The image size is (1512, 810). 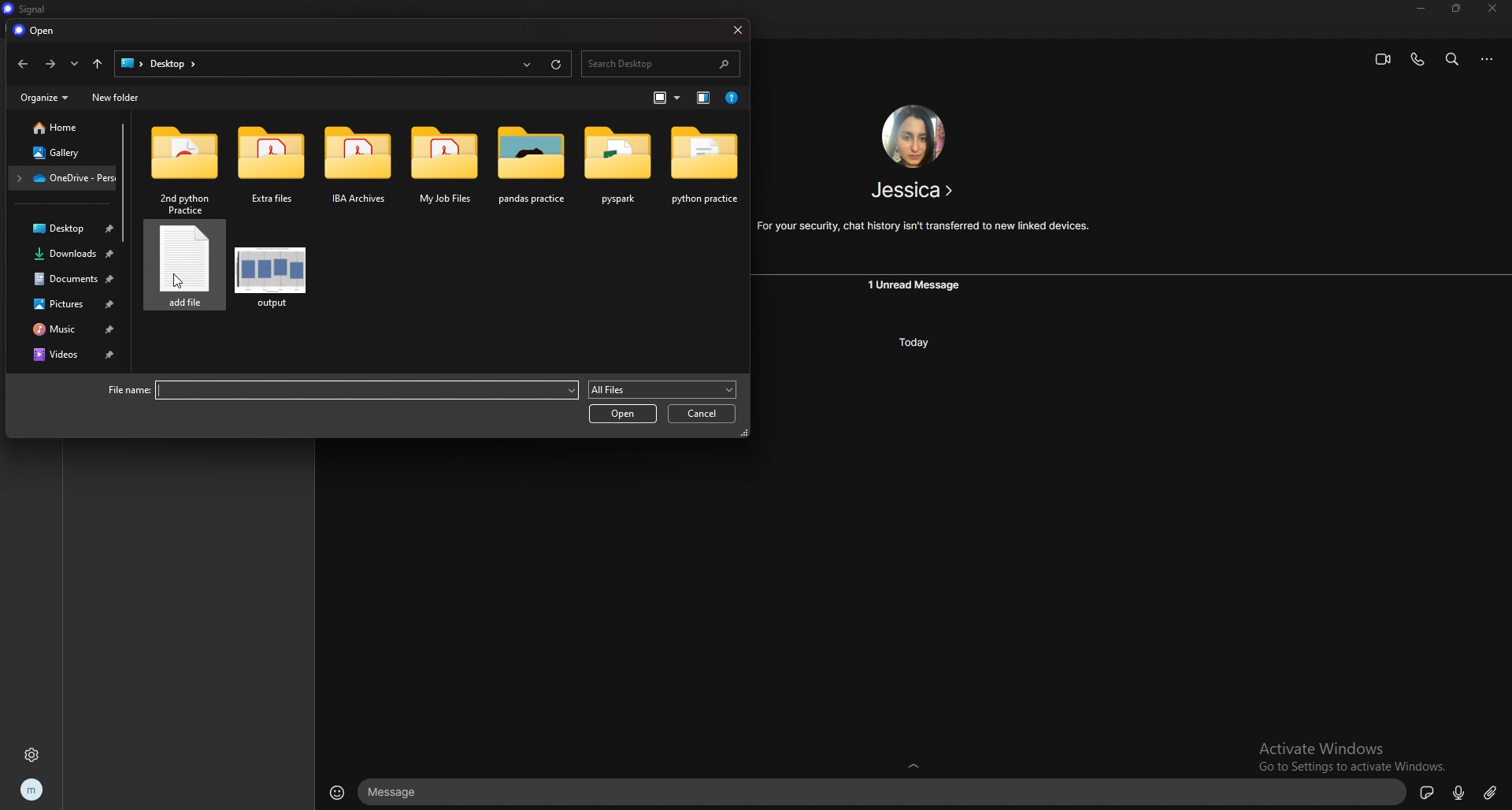 I want to click on profile, so click(x=33, y=790).